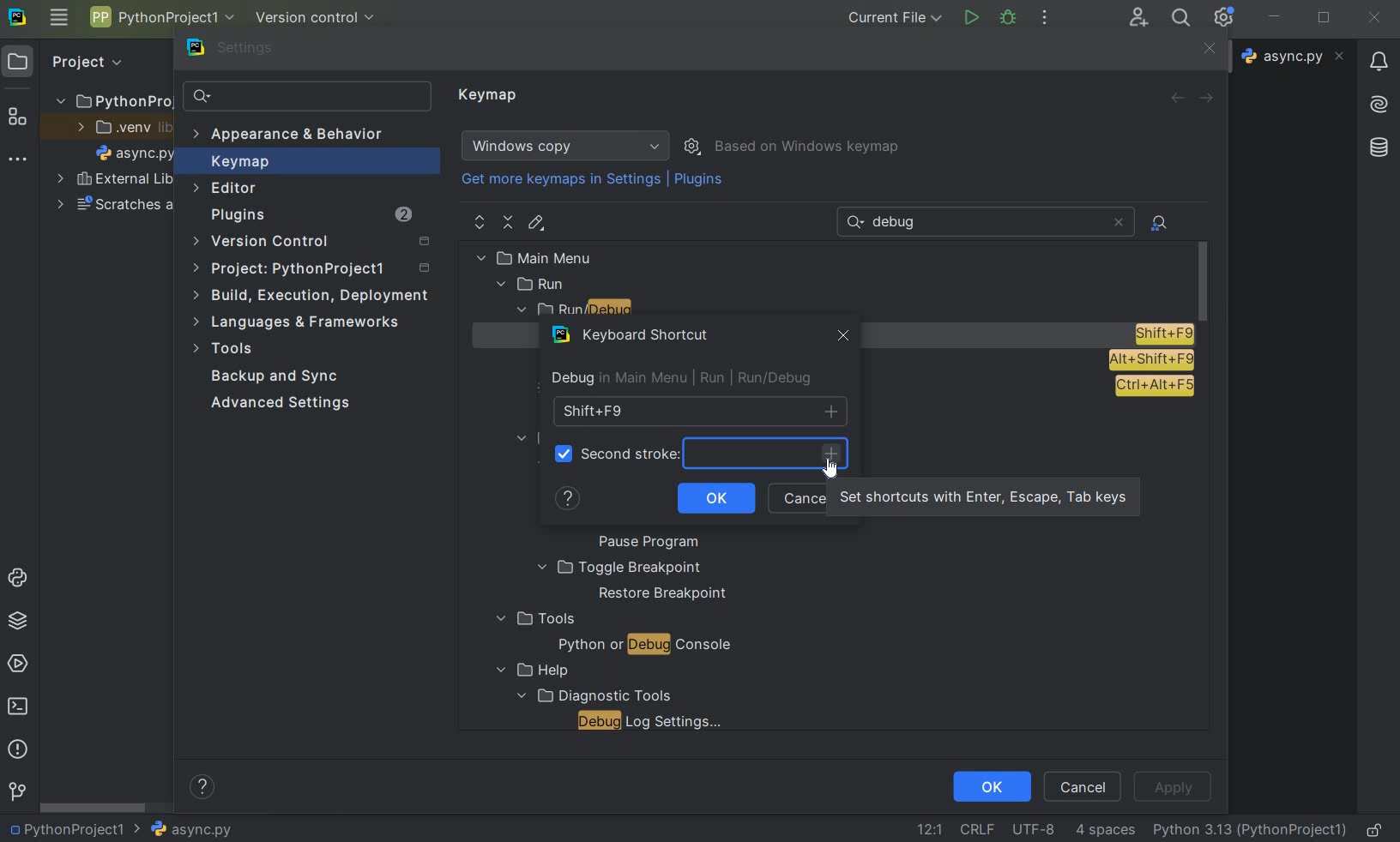  What do you see at coordinates (929, 829) in the screenshot?
I see `go to line` at bounding box center [929, 829].